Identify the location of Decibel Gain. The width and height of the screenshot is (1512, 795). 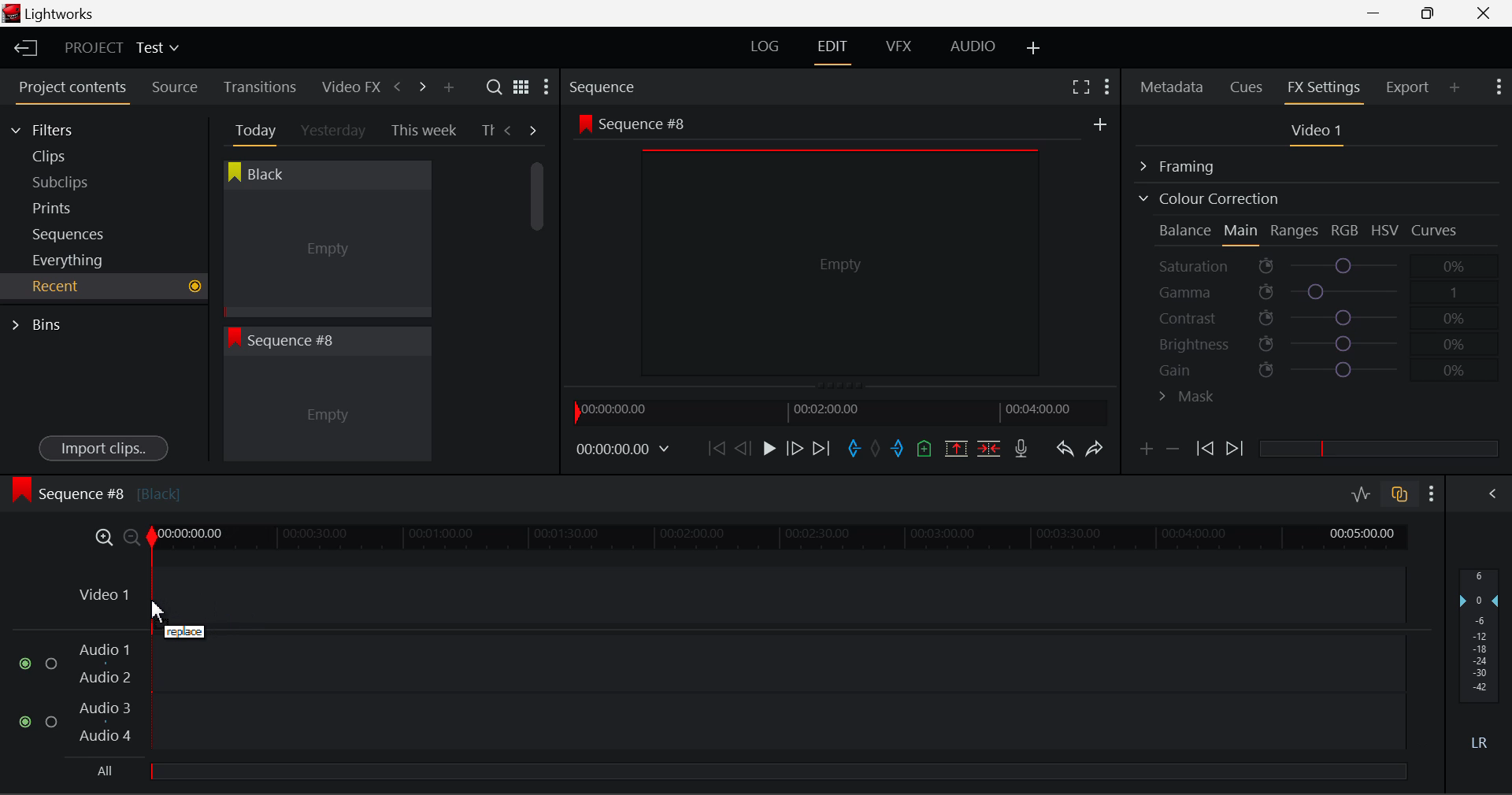
(1478, 663).